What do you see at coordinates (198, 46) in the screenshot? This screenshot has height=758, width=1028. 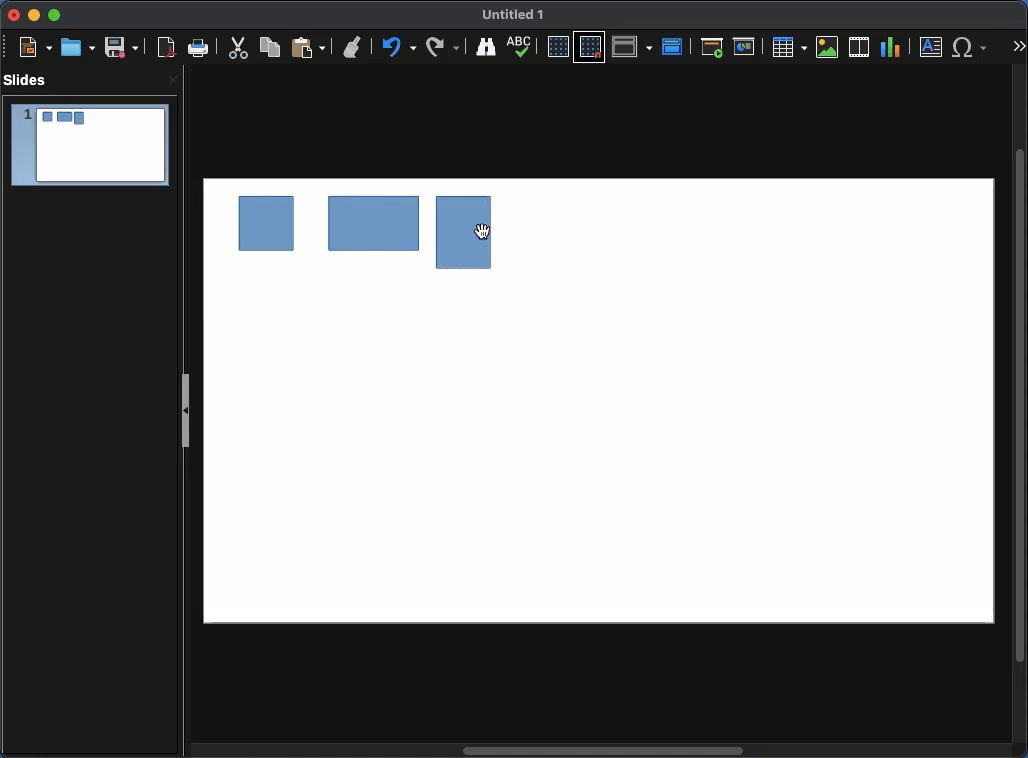 I see `Print` at bounding box center [198, 46].